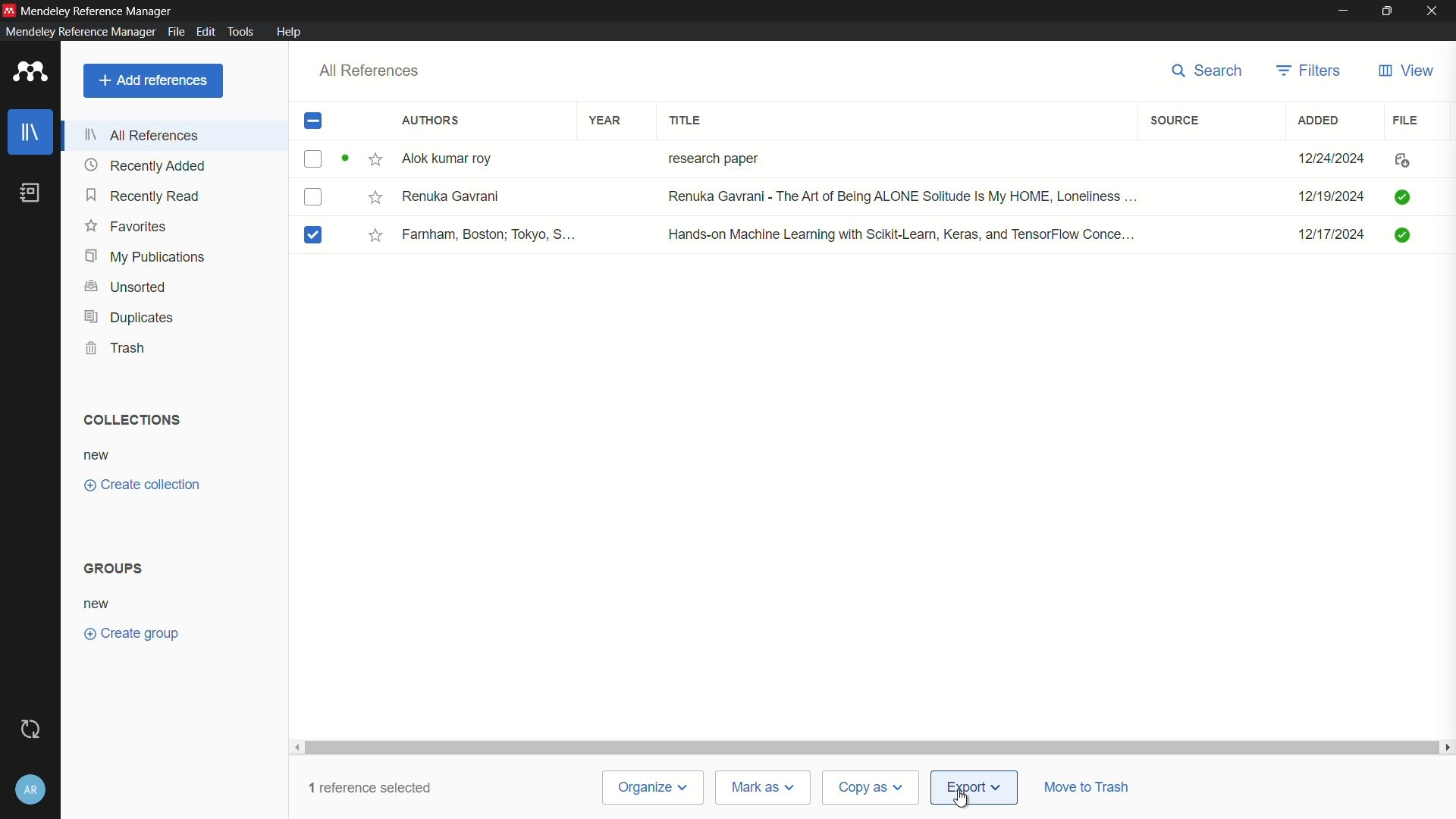 The width and height of the screenshot is (1456, 819). What do you see at coordinates (117, 347) in the screenshot?
I see `trash` at bounding box center [117, 347].